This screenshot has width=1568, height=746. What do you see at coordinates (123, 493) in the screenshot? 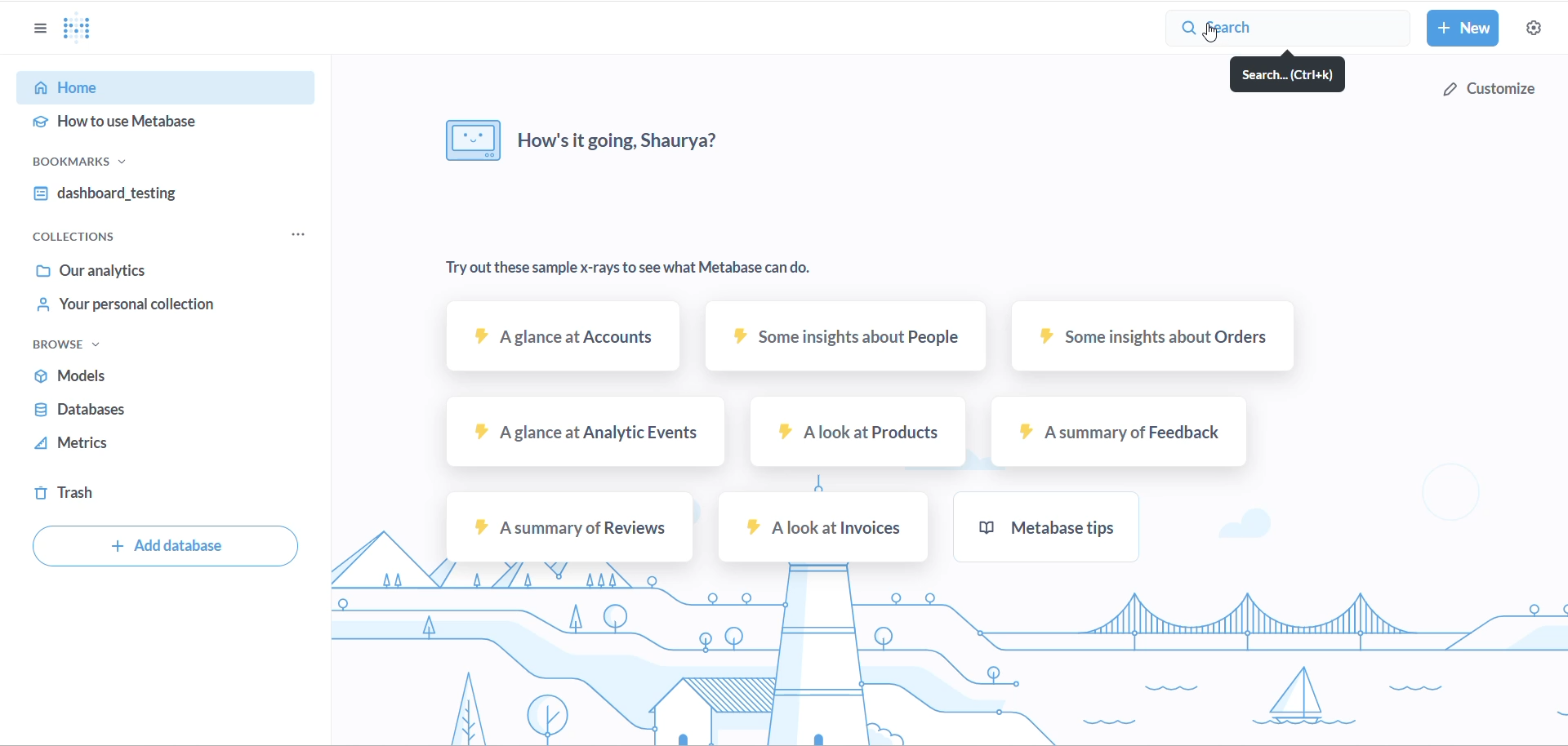
I see `trash` at bounding box center [123, 493].